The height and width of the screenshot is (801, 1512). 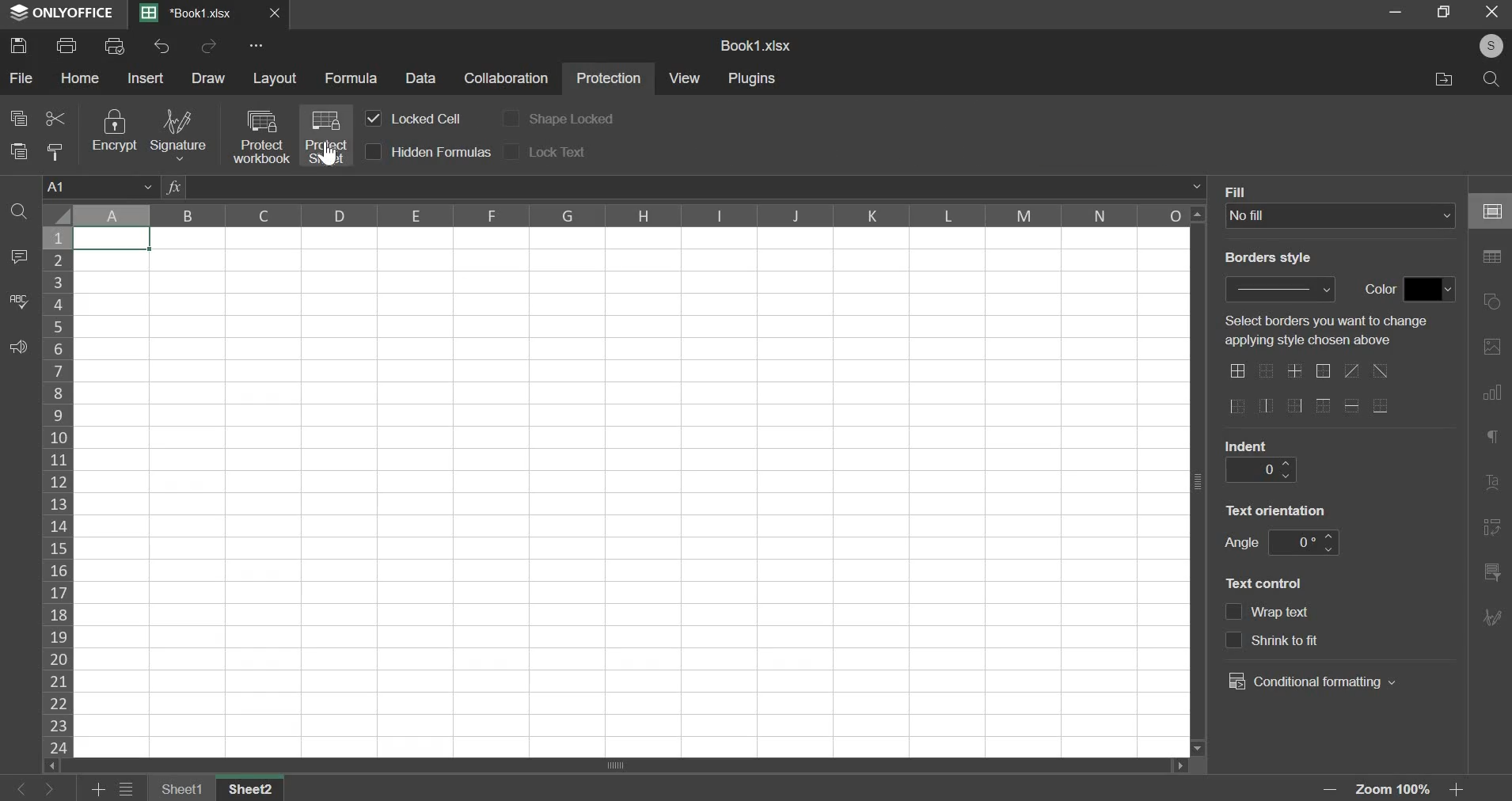 What do you see at coordinates (511, 117) in the screenshot?
I see `checkbox` at bounding box center [511, 117].